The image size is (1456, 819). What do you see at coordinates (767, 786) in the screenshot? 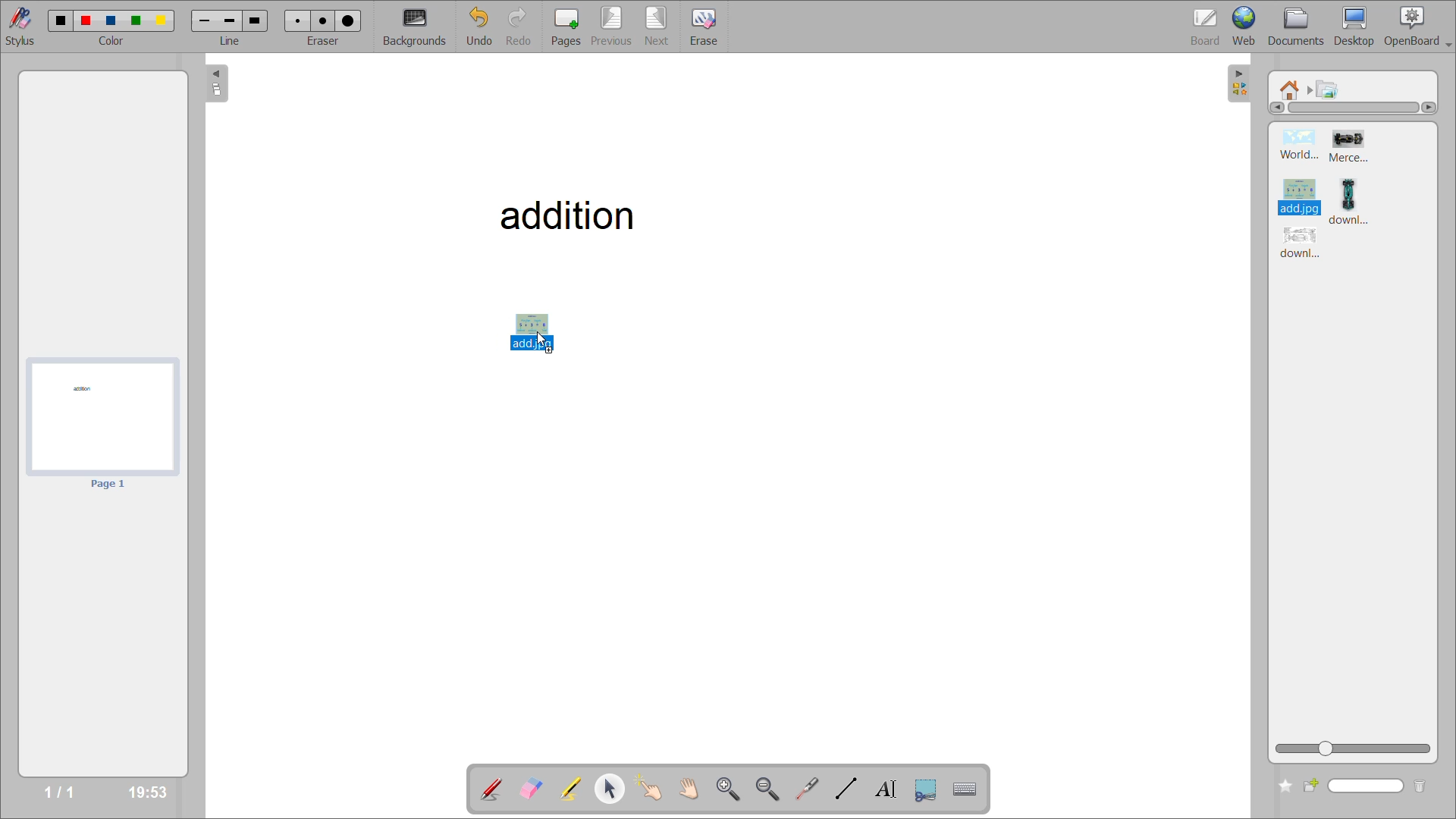
I see `zoom out` at bounding box center [767, 786].